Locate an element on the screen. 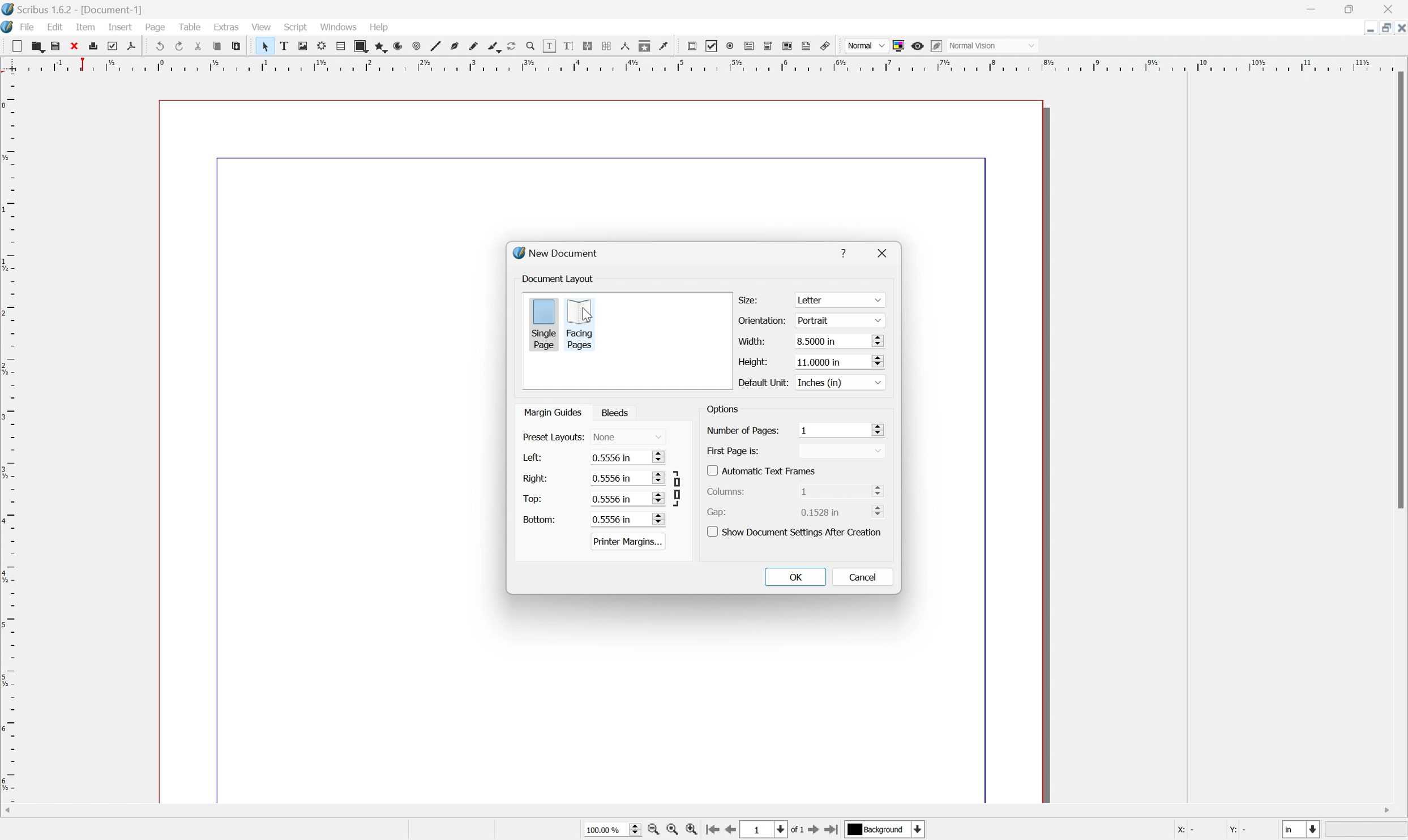 This screenshot has width=1408, height=840. Ruler is located at coordinates (9, 446).